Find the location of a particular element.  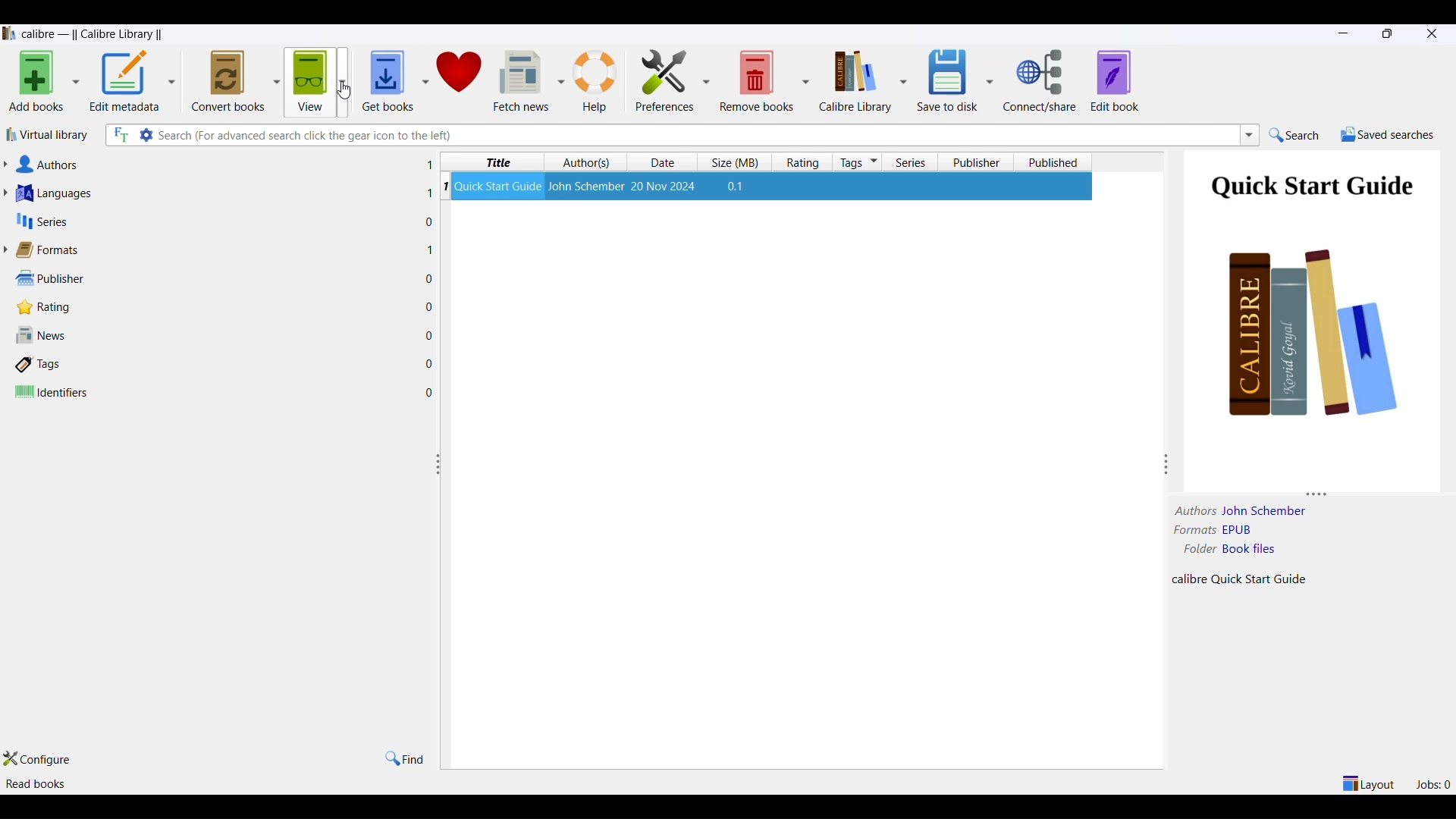

convert books is located at coordinates (224, 80).